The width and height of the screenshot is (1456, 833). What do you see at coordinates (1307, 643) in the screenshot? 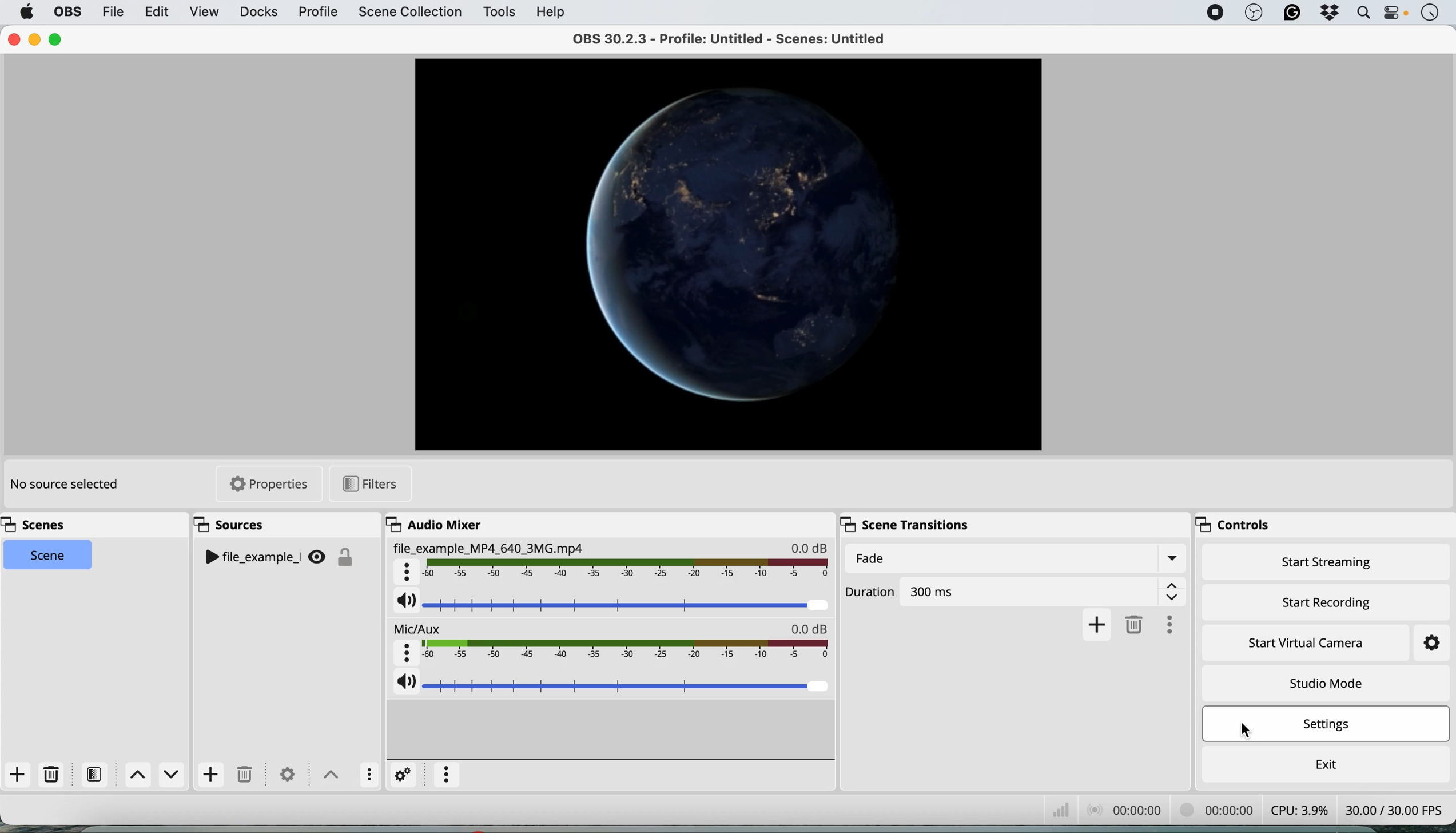
I see `start virtual camera` at bounding box center [1307, 643].